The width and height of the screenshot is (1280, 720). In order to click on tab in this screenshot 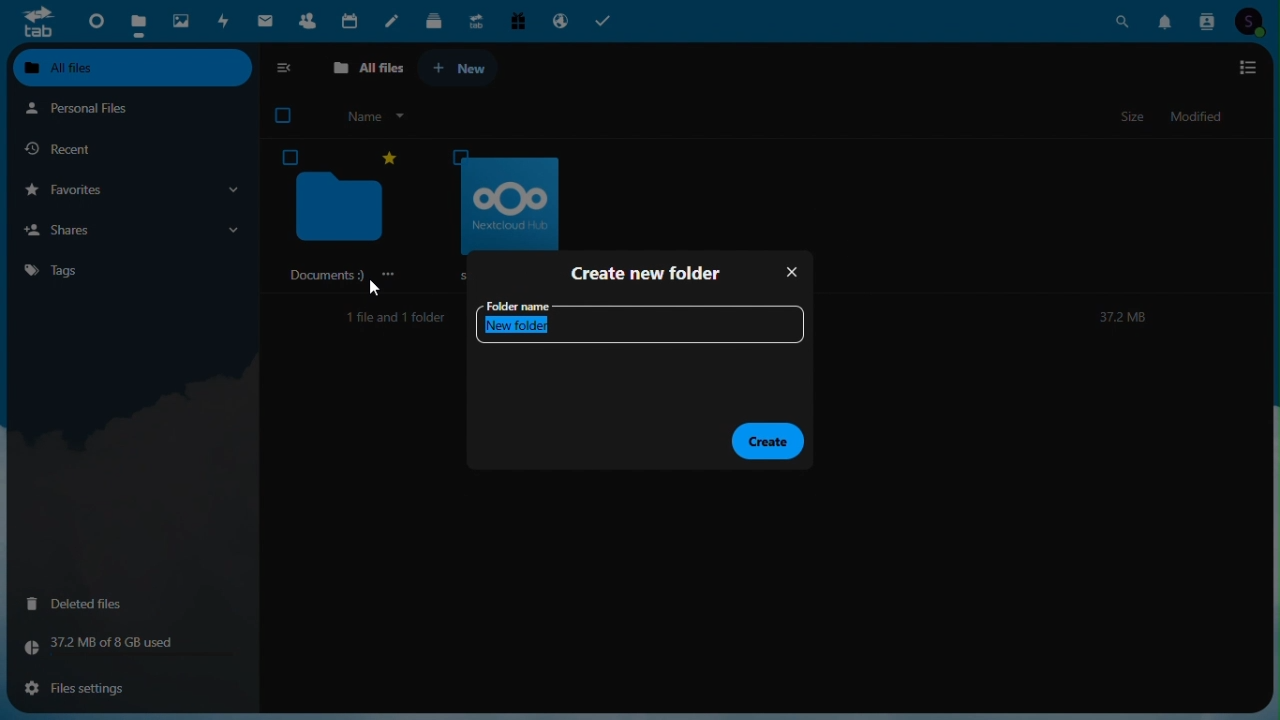, I will do `click(32, 21)`.